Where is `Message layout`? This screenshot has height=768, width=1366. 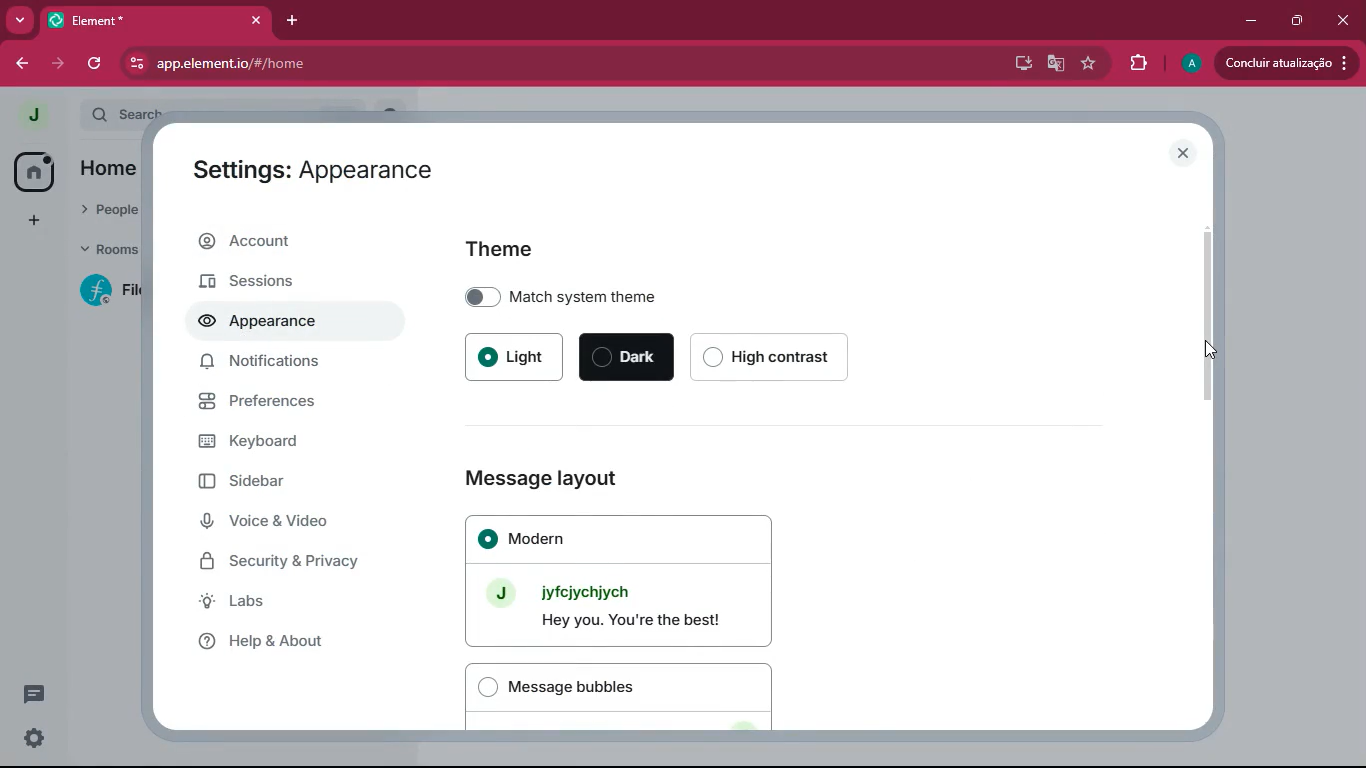
Message layout is located at coordinates (543, 479).